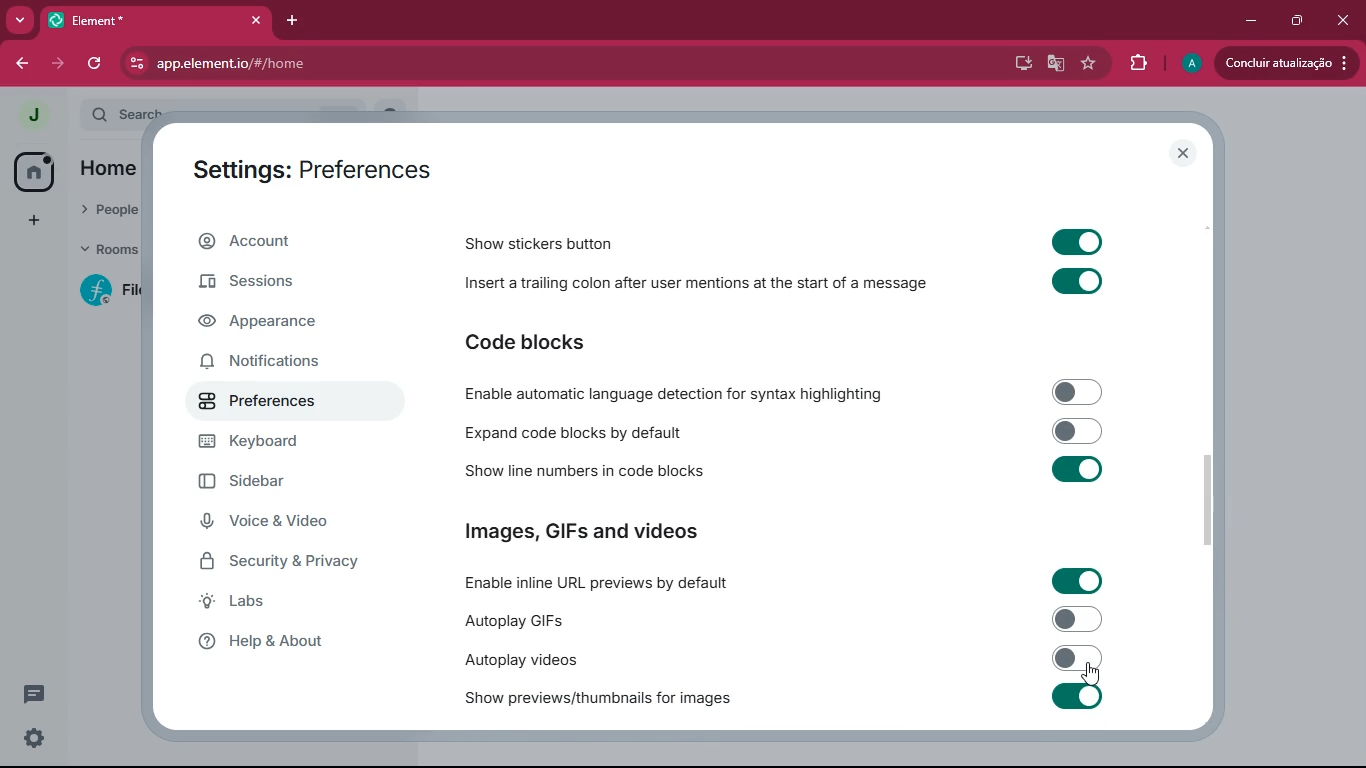  I want to click on forward, so click(61, 64).